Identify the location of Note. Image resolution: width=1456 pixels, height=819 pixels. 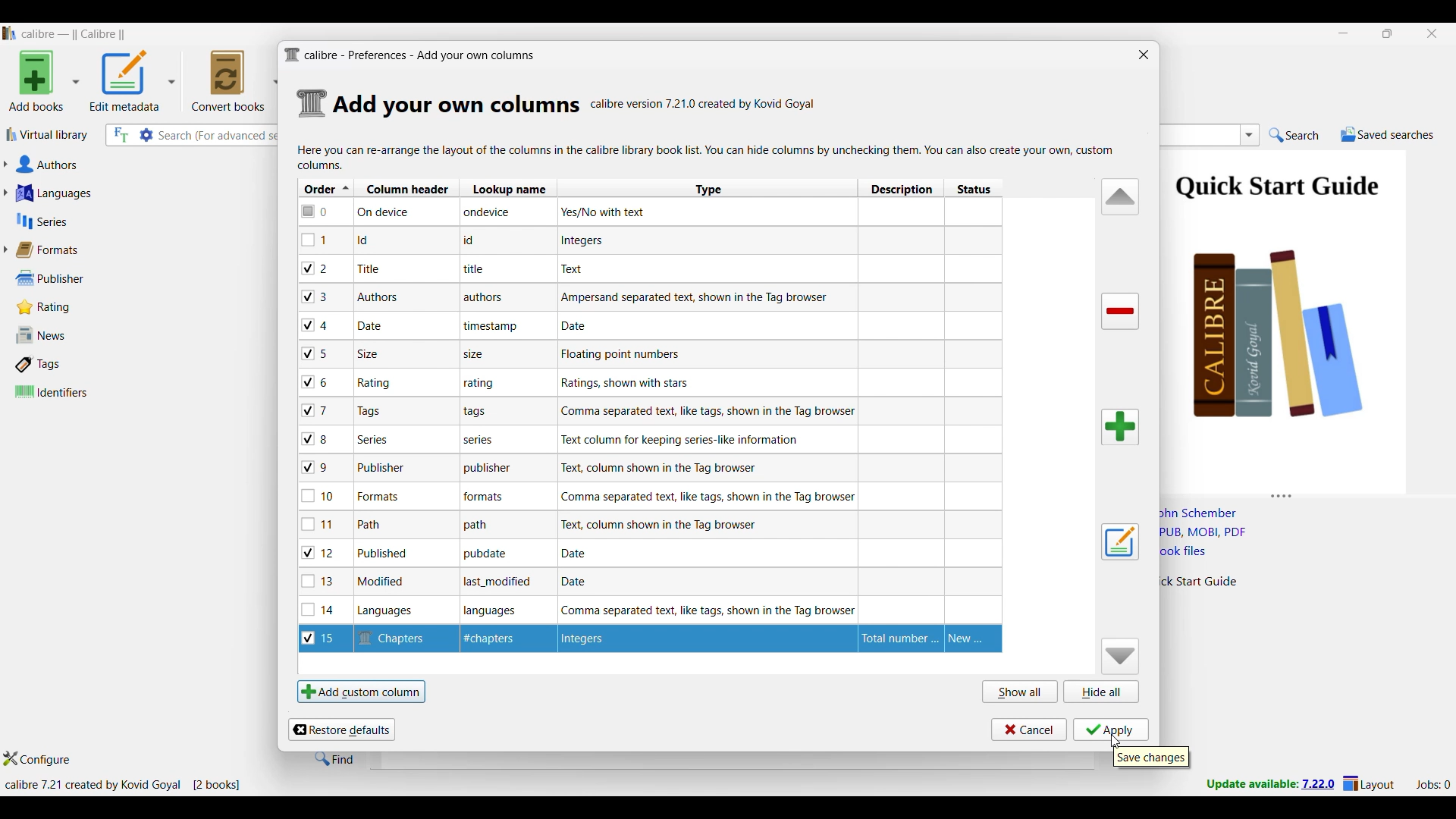
(367, 240).